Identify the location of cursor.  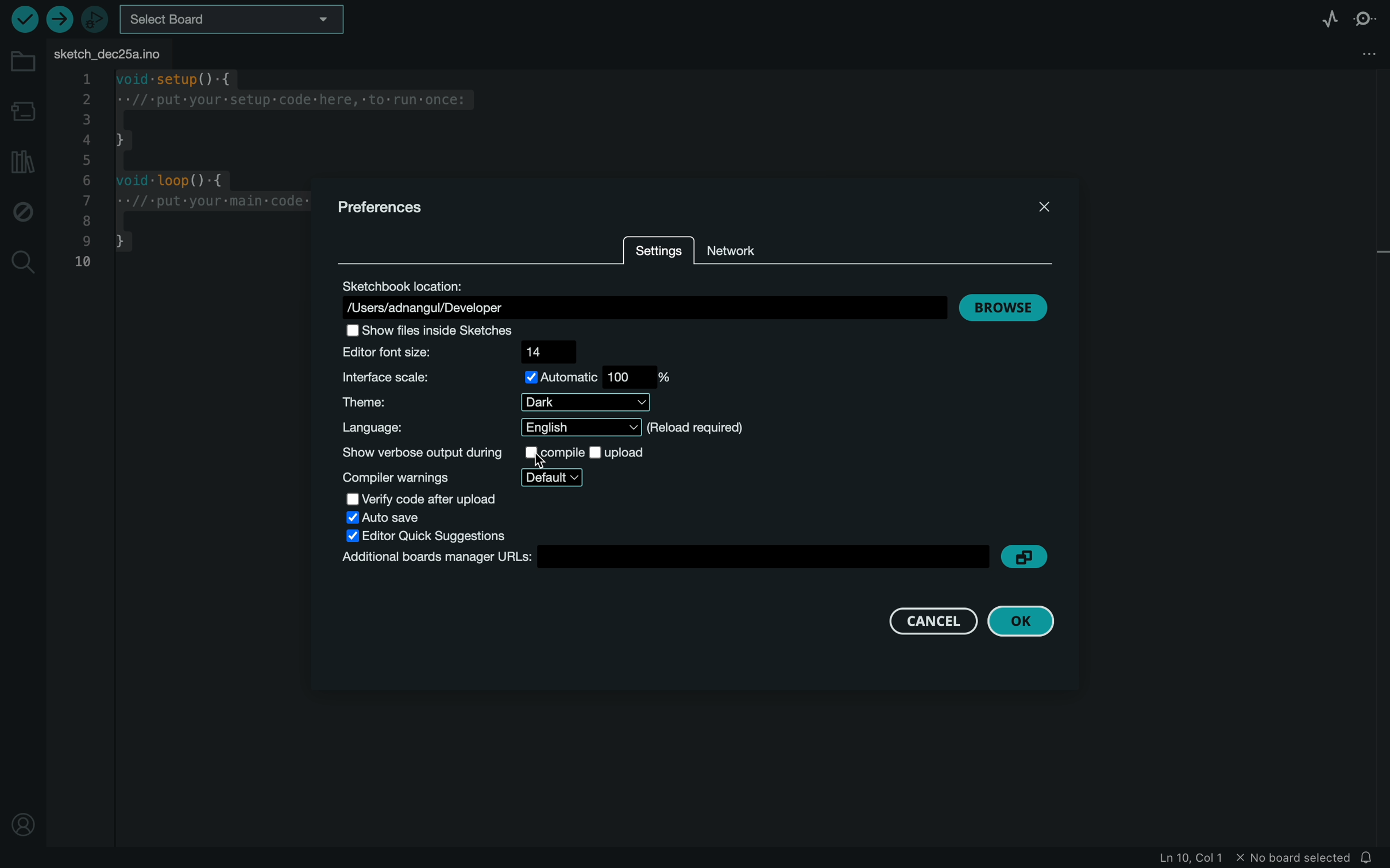
(549, 462).